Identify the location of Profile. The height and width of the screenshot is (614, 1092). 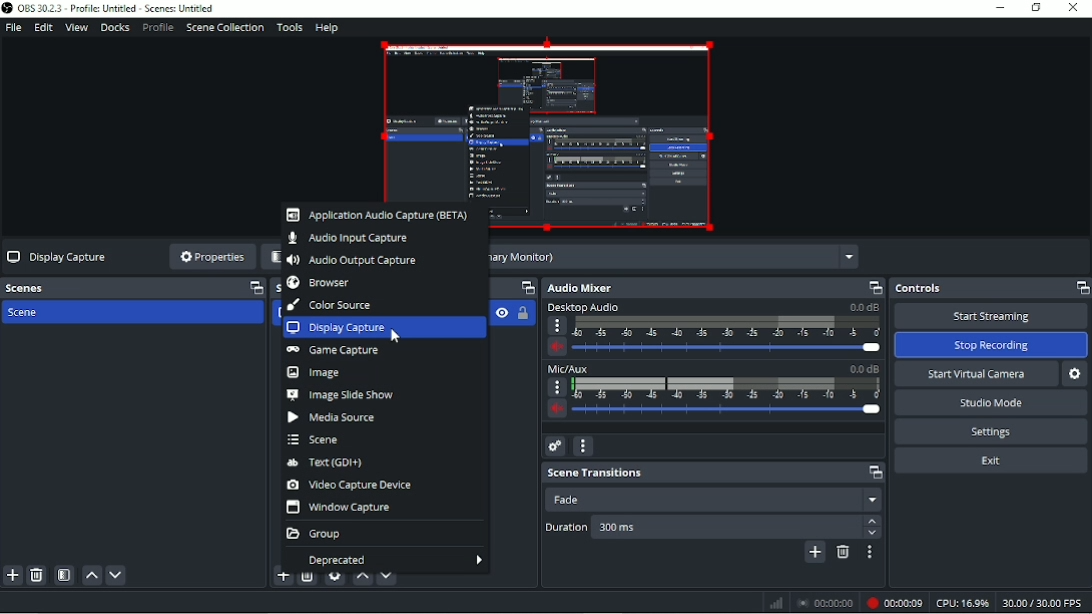
(157, 27).